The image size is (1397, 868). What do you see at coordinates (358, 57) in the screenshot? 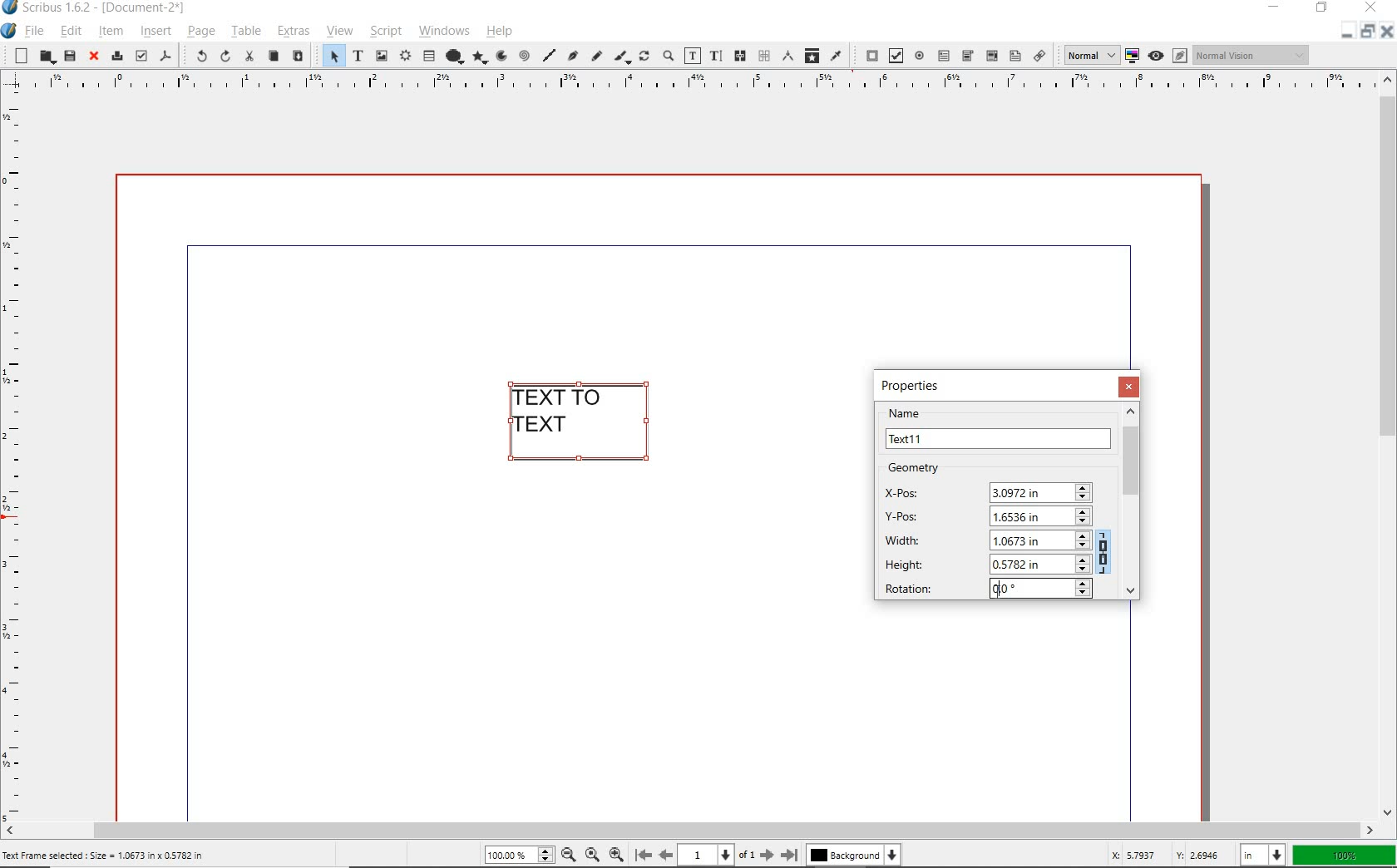
I see `text frame` at bounding box center [358, 57].